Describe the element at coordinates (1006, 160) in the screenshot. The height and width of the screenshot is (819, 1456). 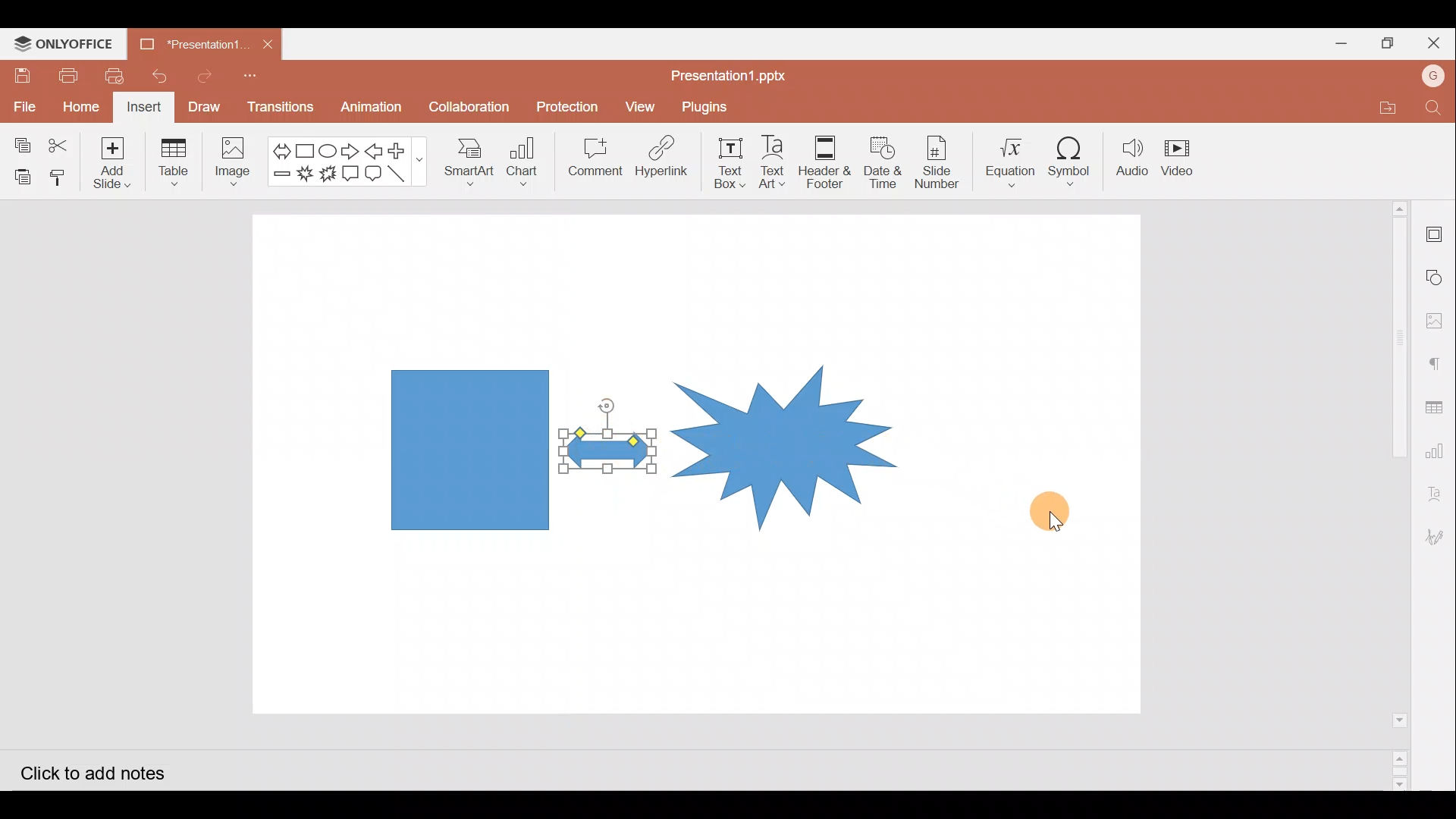
I see `Equation` at that location.